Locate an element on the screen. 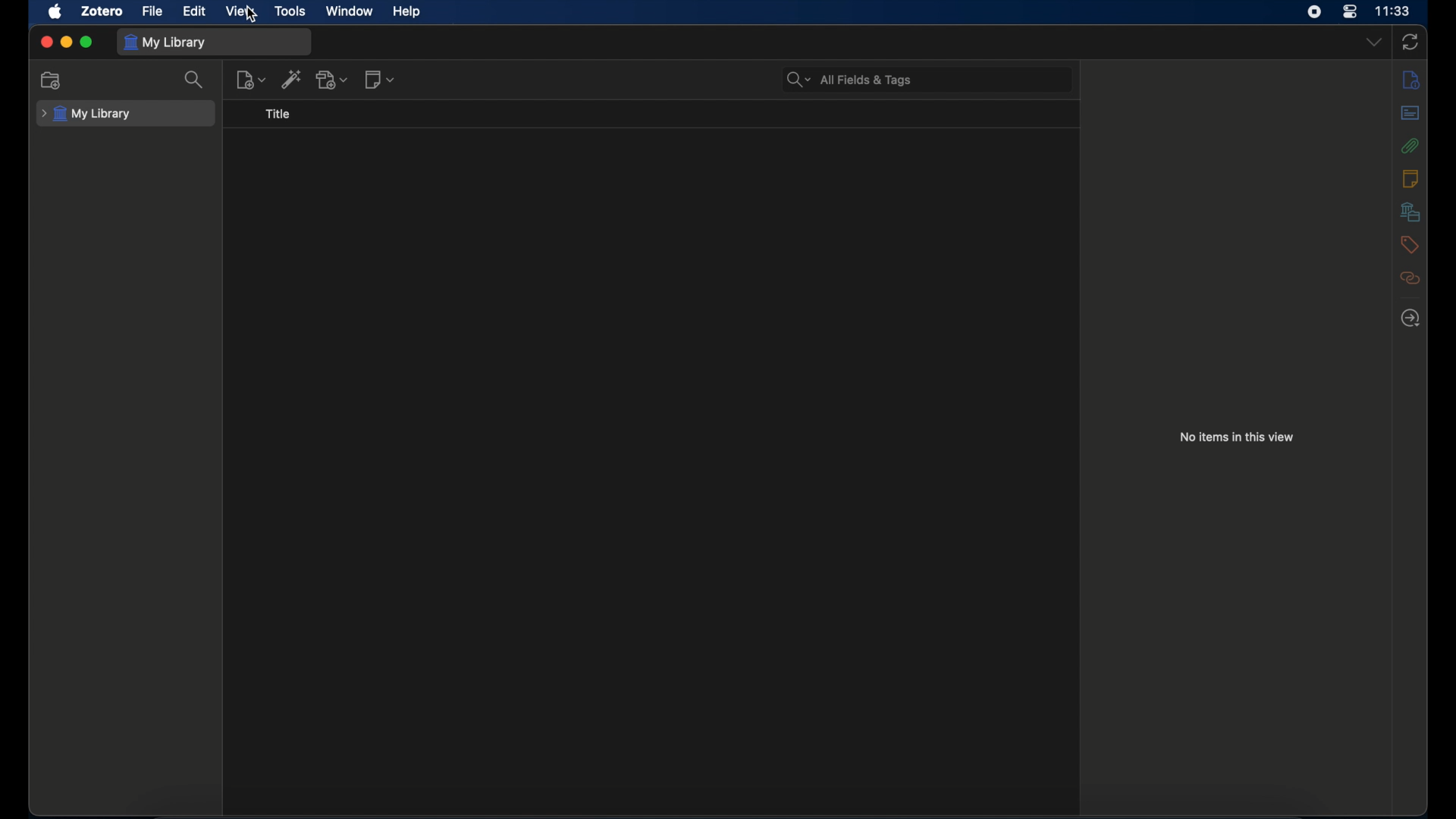 The image size is (1456, 819). window is located at coordinates (350, 11).